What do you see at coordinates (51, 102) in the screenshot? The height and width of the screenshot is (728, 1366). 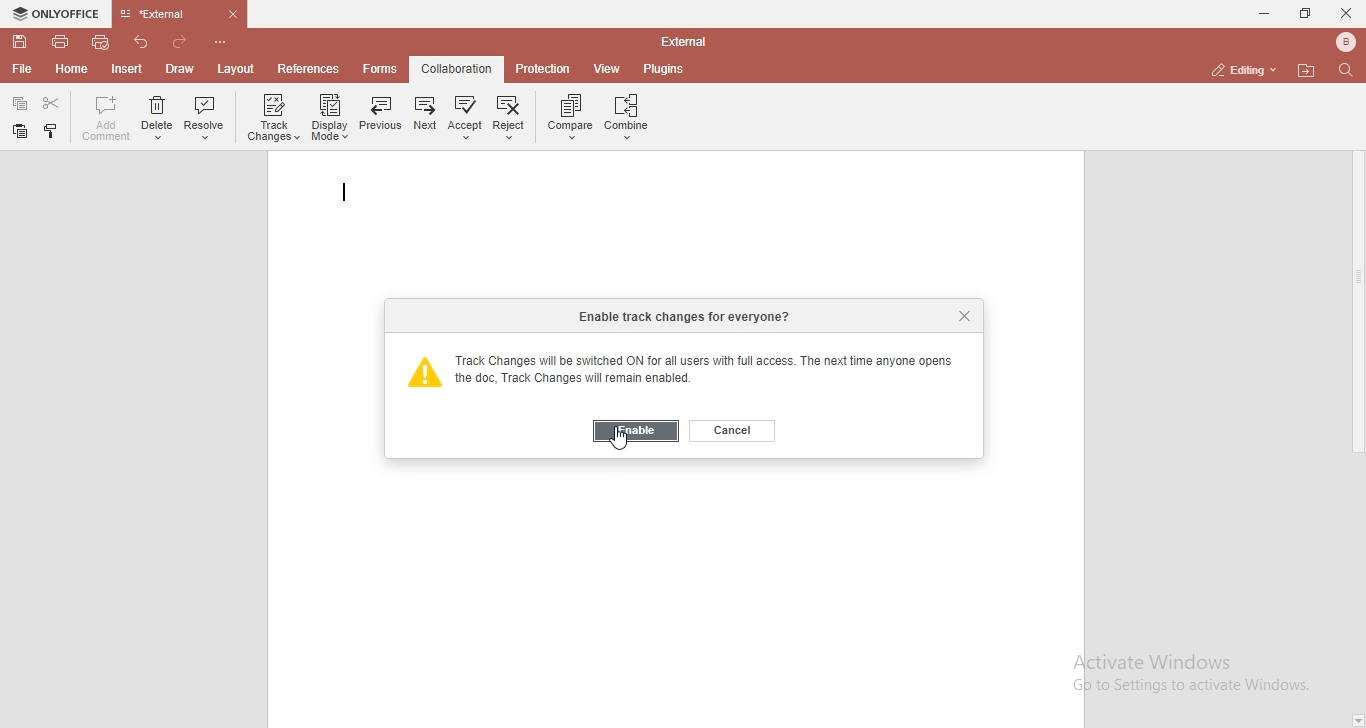 I see `cut` at bounding box center [51, 102].